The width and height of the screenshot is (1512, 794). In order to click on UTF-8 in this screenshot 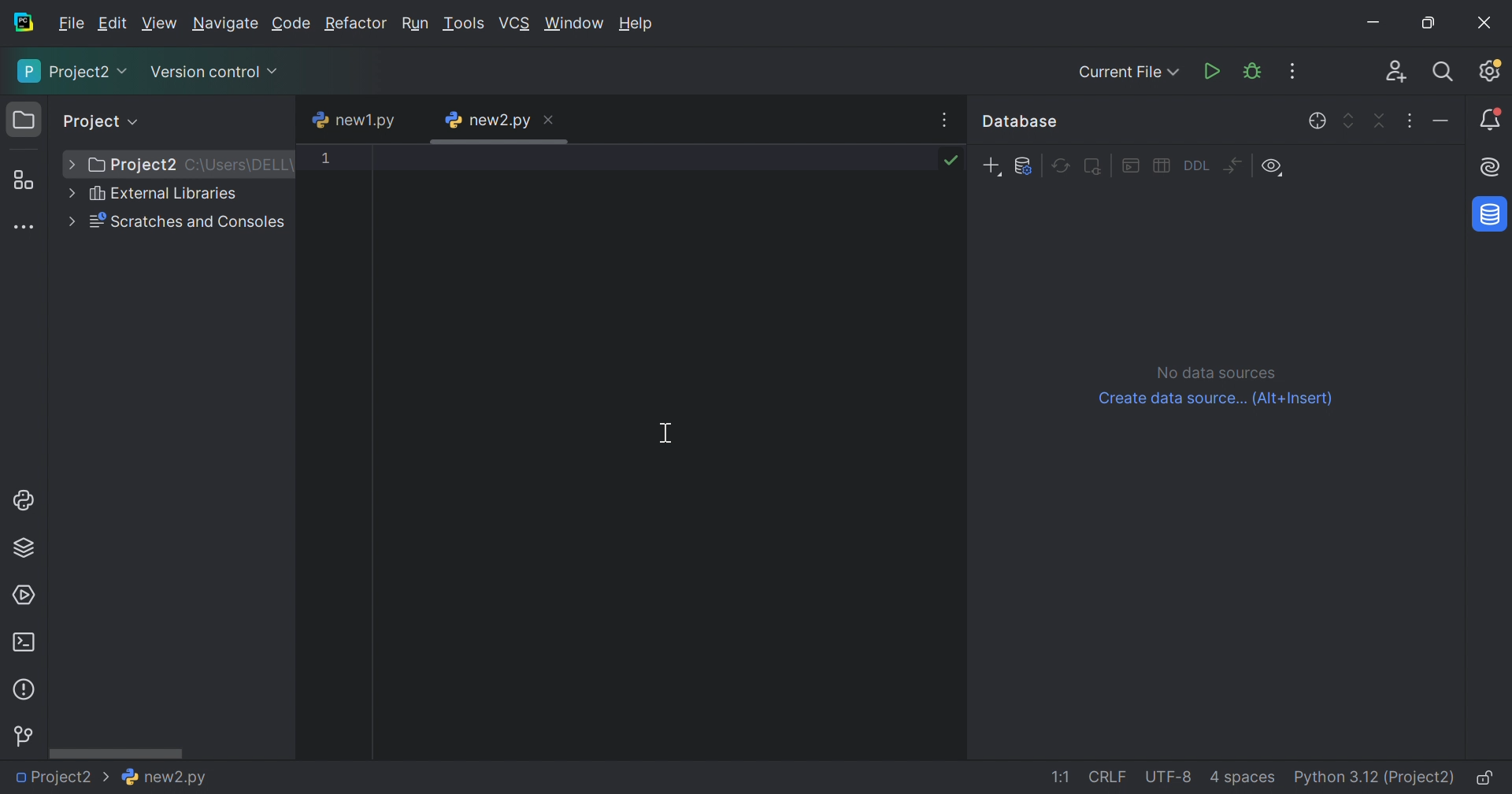, I will do `click(1169, 777)`.